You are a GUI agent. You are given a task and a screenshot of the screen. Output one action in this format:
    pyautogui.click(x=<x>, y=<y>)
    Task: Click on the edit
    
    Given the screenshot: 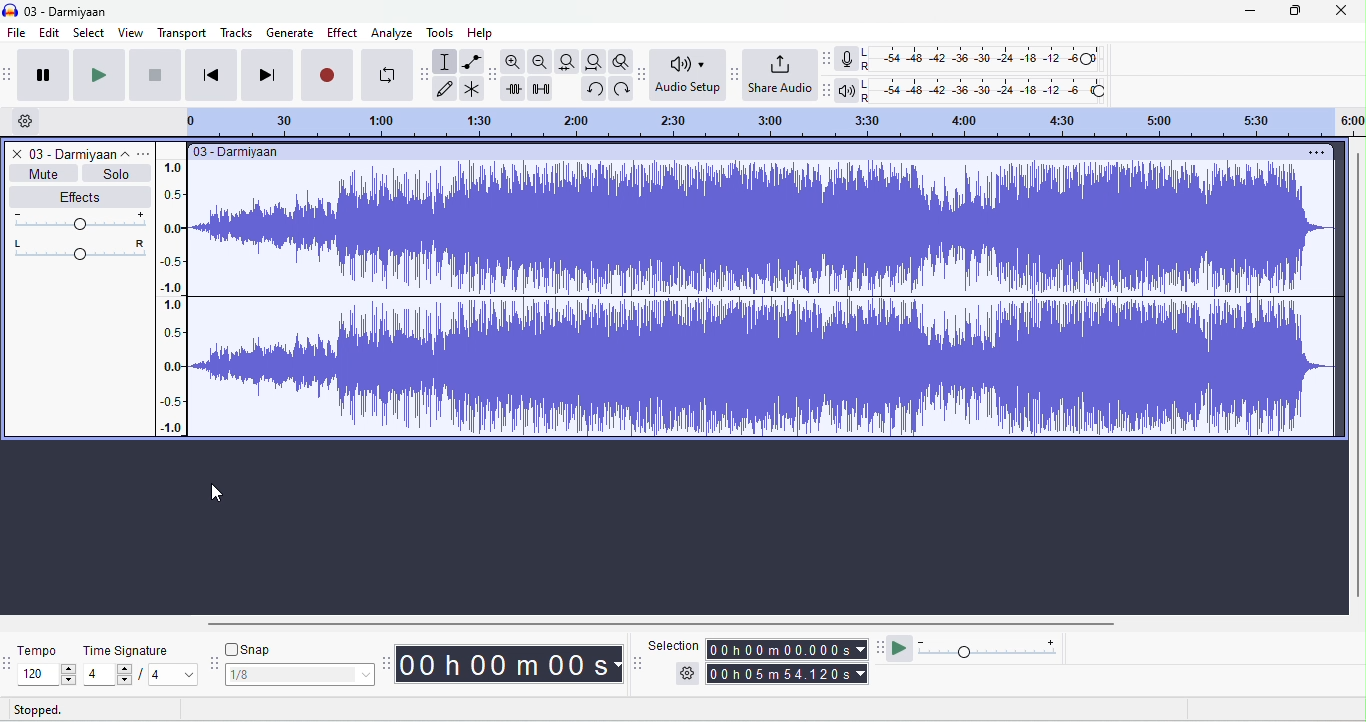 What is the action you would take?
    pyautogui.click(x=50, y=32)
    